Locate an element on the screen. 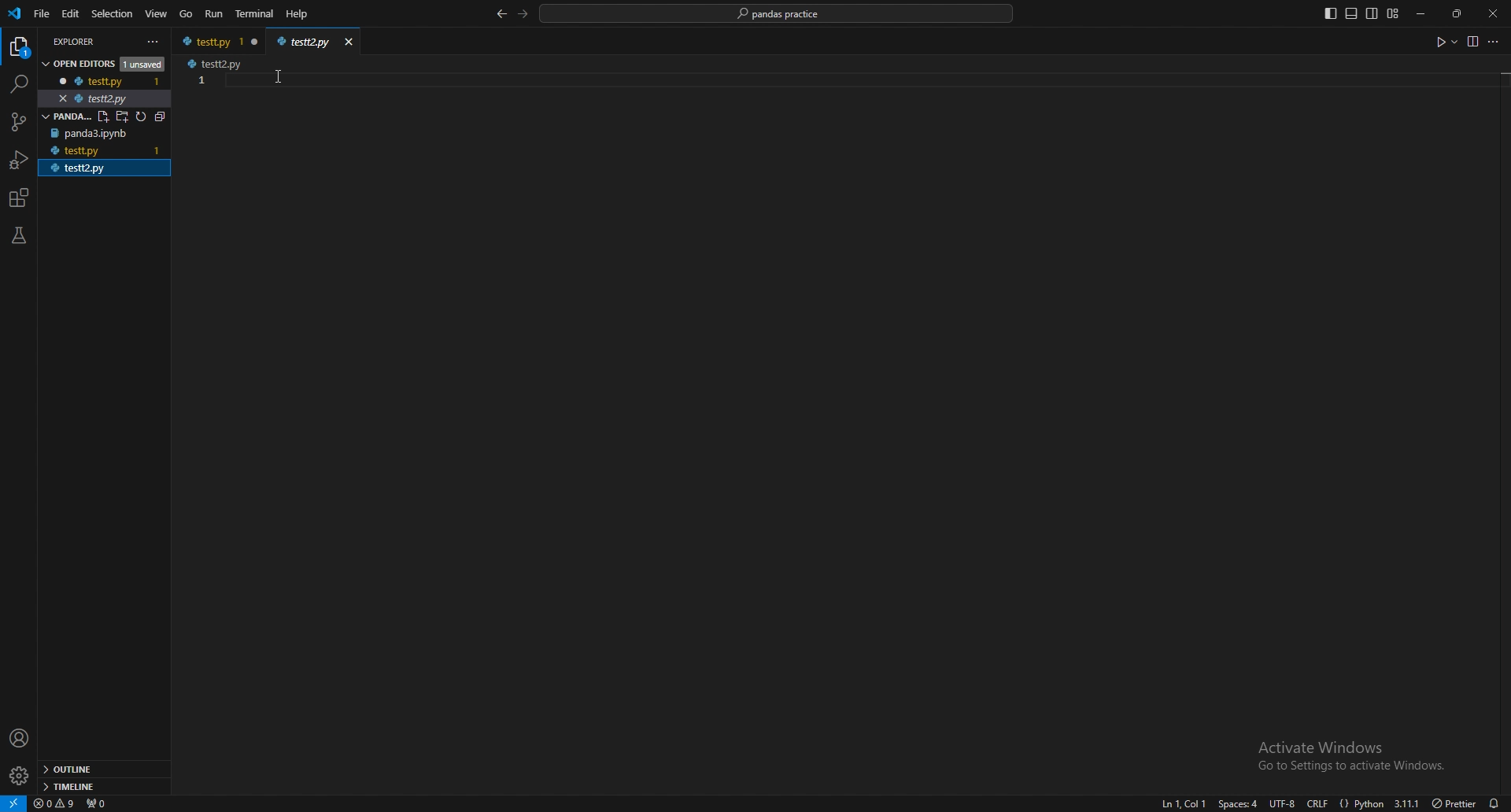 This screenshot has height=812, width=1511. pandas practice is located at coordinates (106, 116).